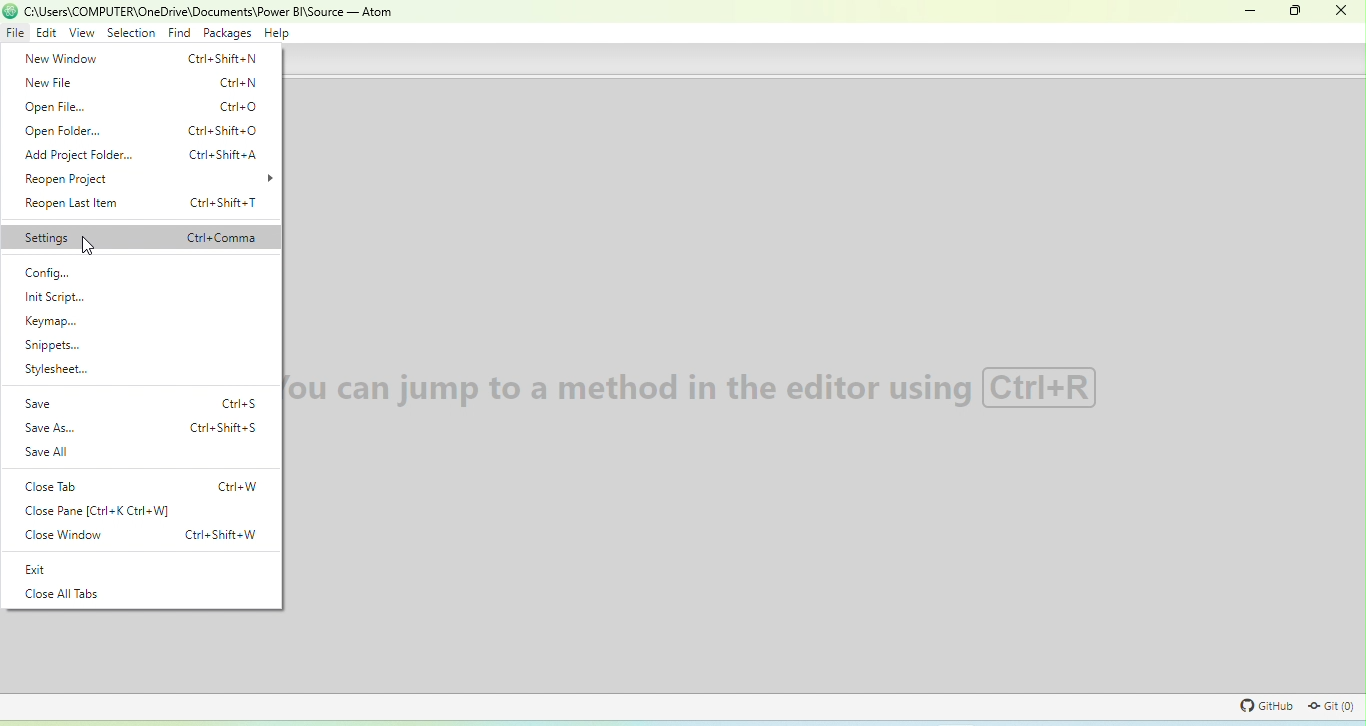 The height and width of the screenshot is (726, 1366). Describe the element at coordinates (1331, 706) in the screenshot. I see `git` at that location.